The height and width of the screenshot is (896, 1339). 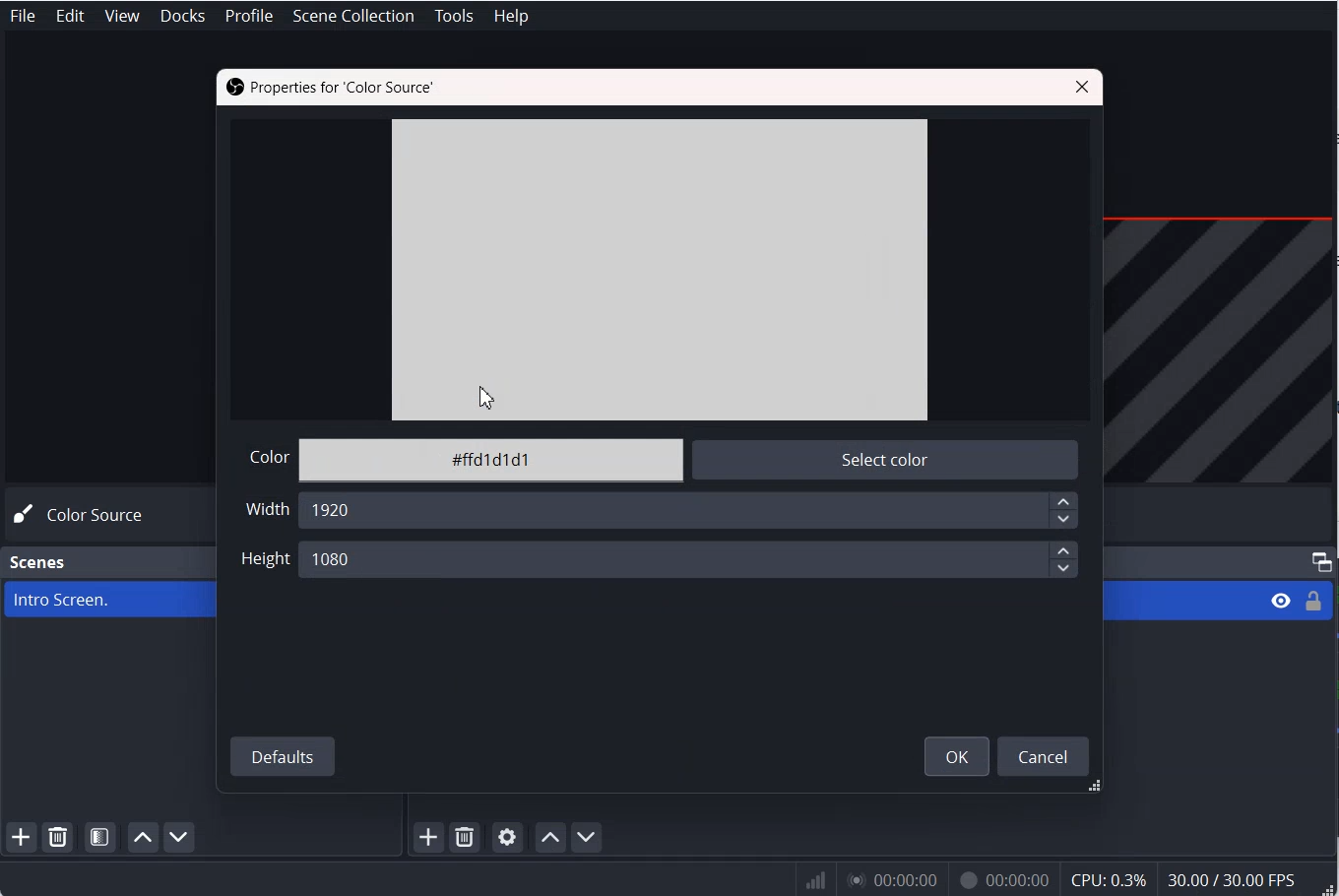 I want to click on Color code adjuster, so click(x=490, y=462).